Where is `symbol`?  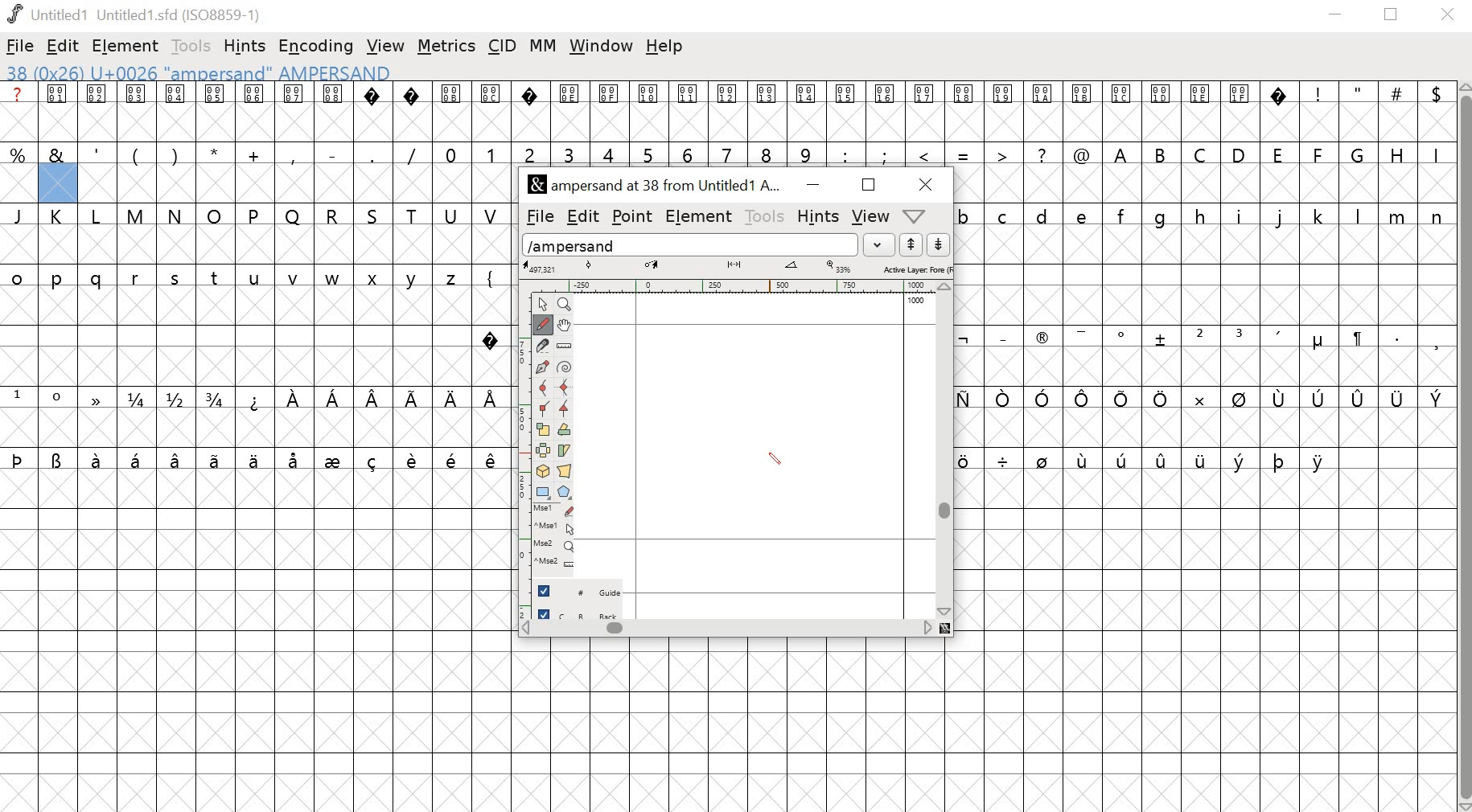 symbol is located at coordinates (1082, 335).